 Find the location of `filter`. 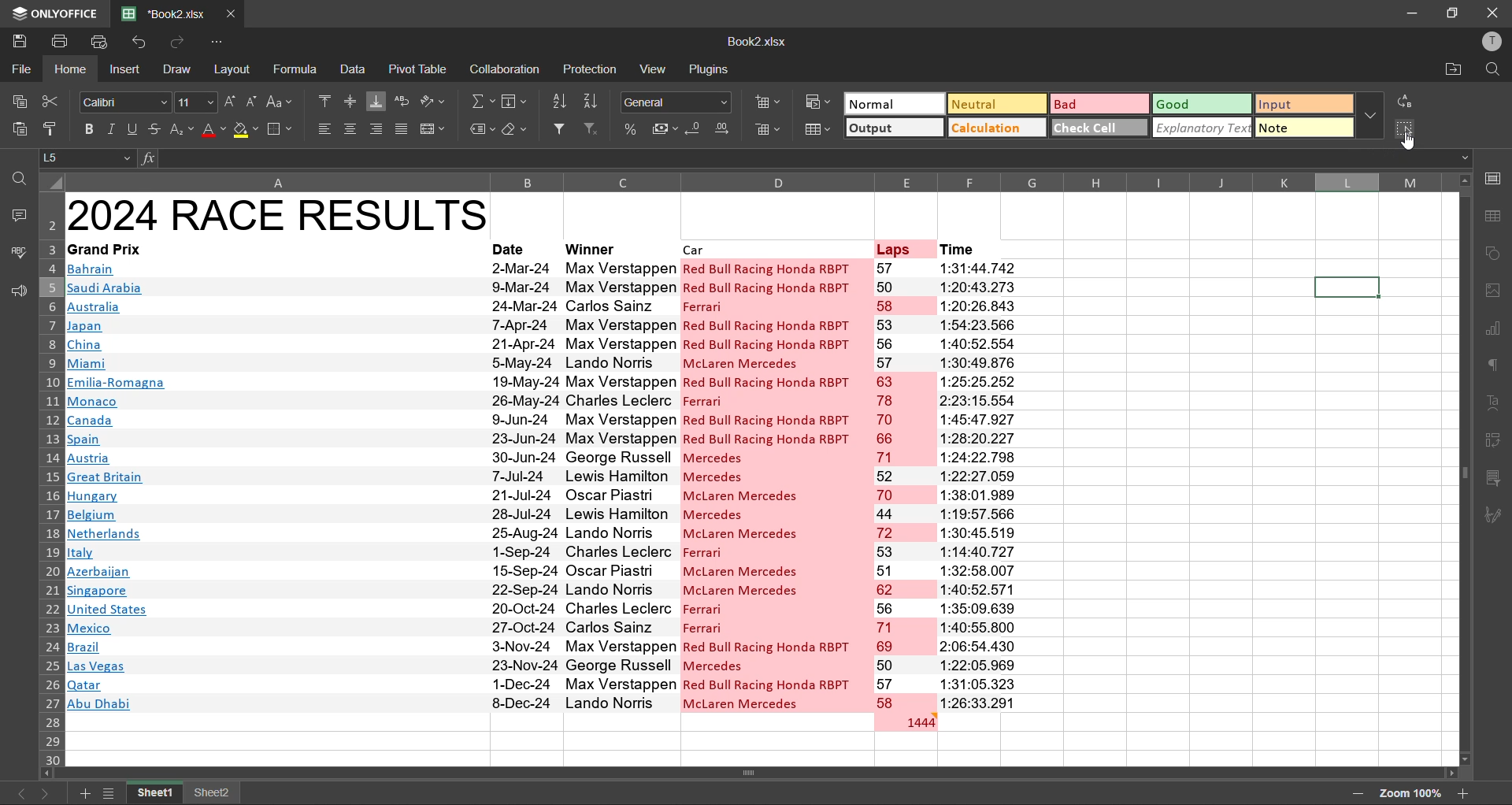

filter is located at coordinates (561, 130).